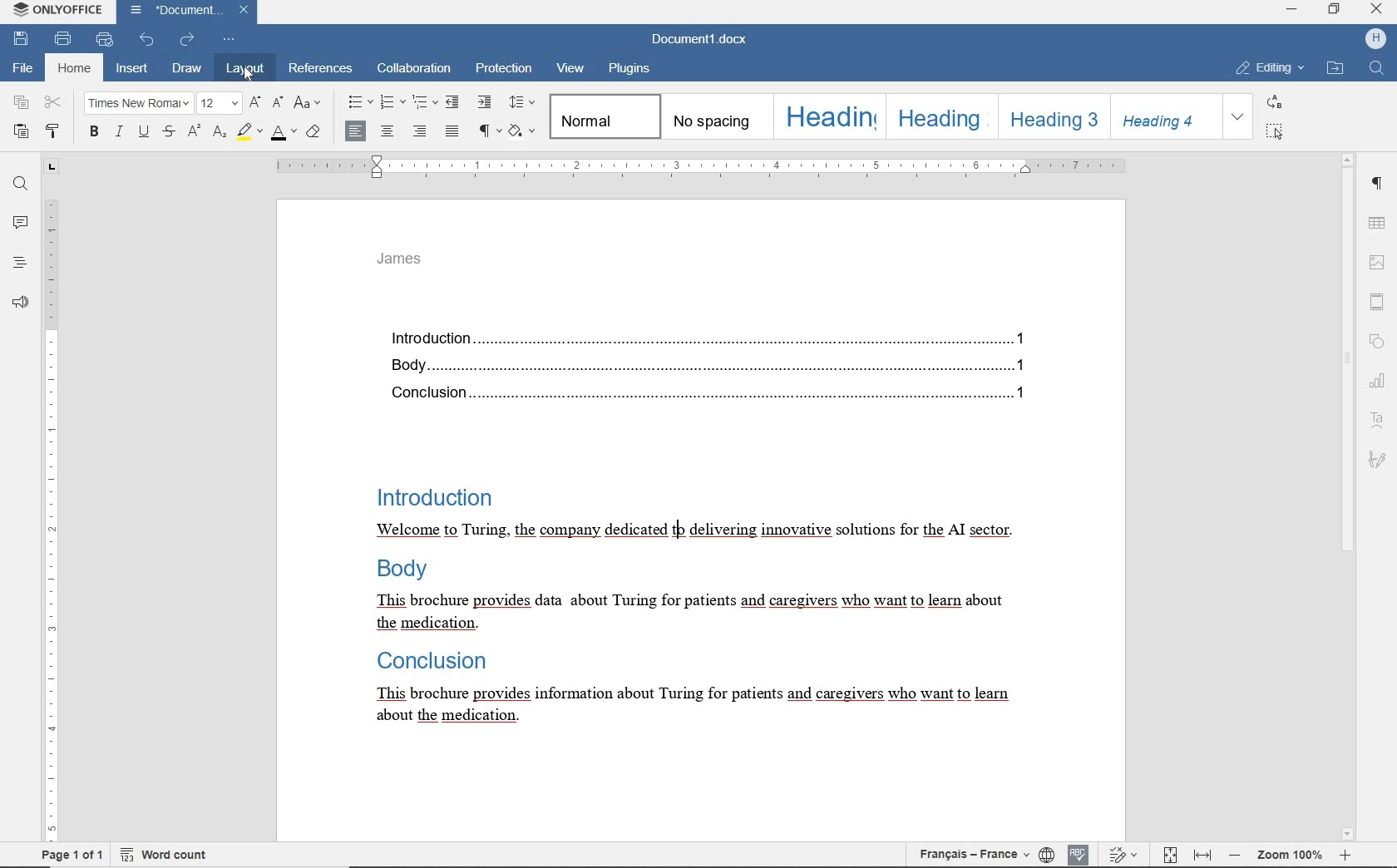 This screenshot has width=1397, height=868. I want to click on signature, so click(1379, 461).